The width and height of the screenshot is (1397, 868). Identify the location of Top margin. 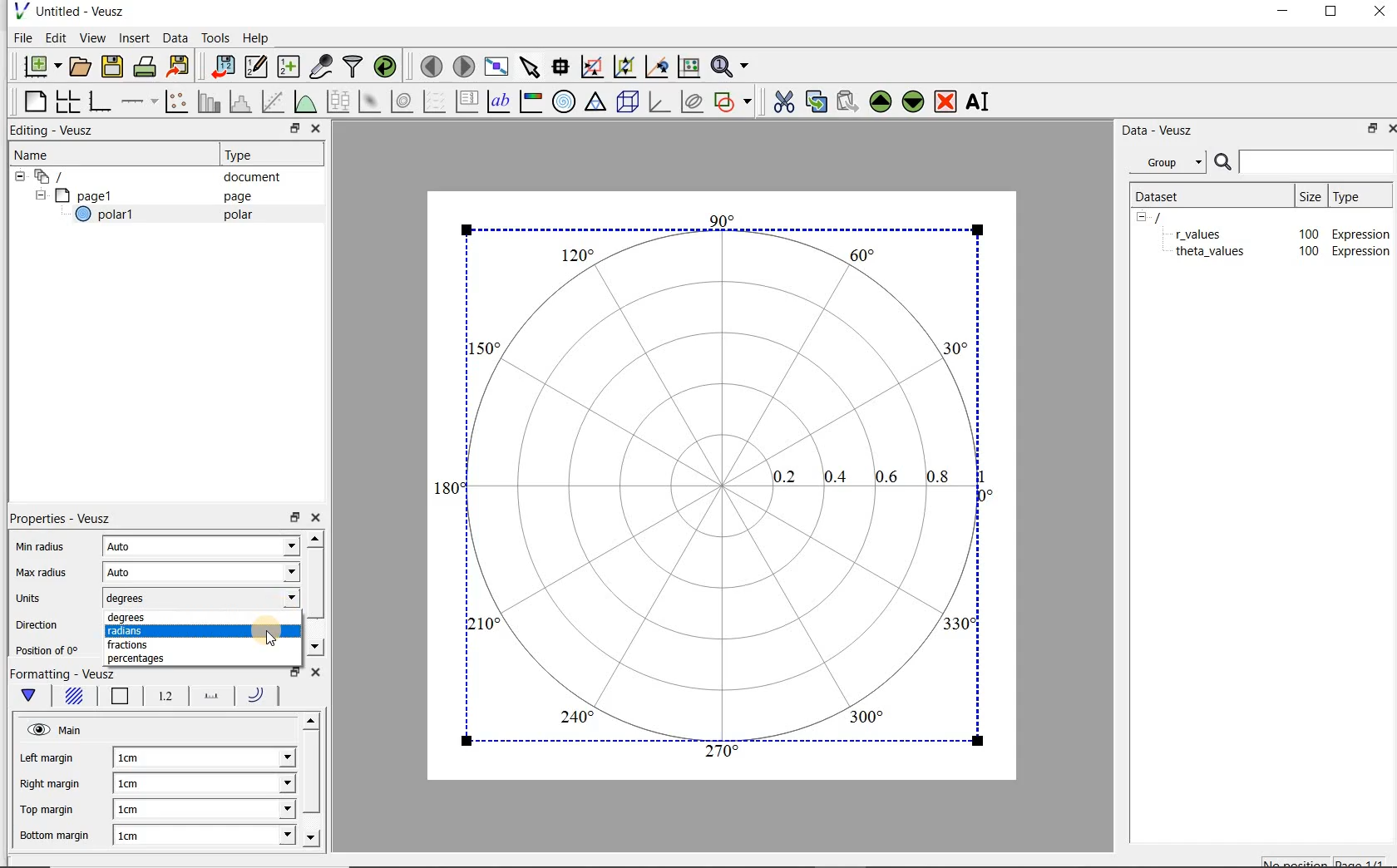
(49, 811).